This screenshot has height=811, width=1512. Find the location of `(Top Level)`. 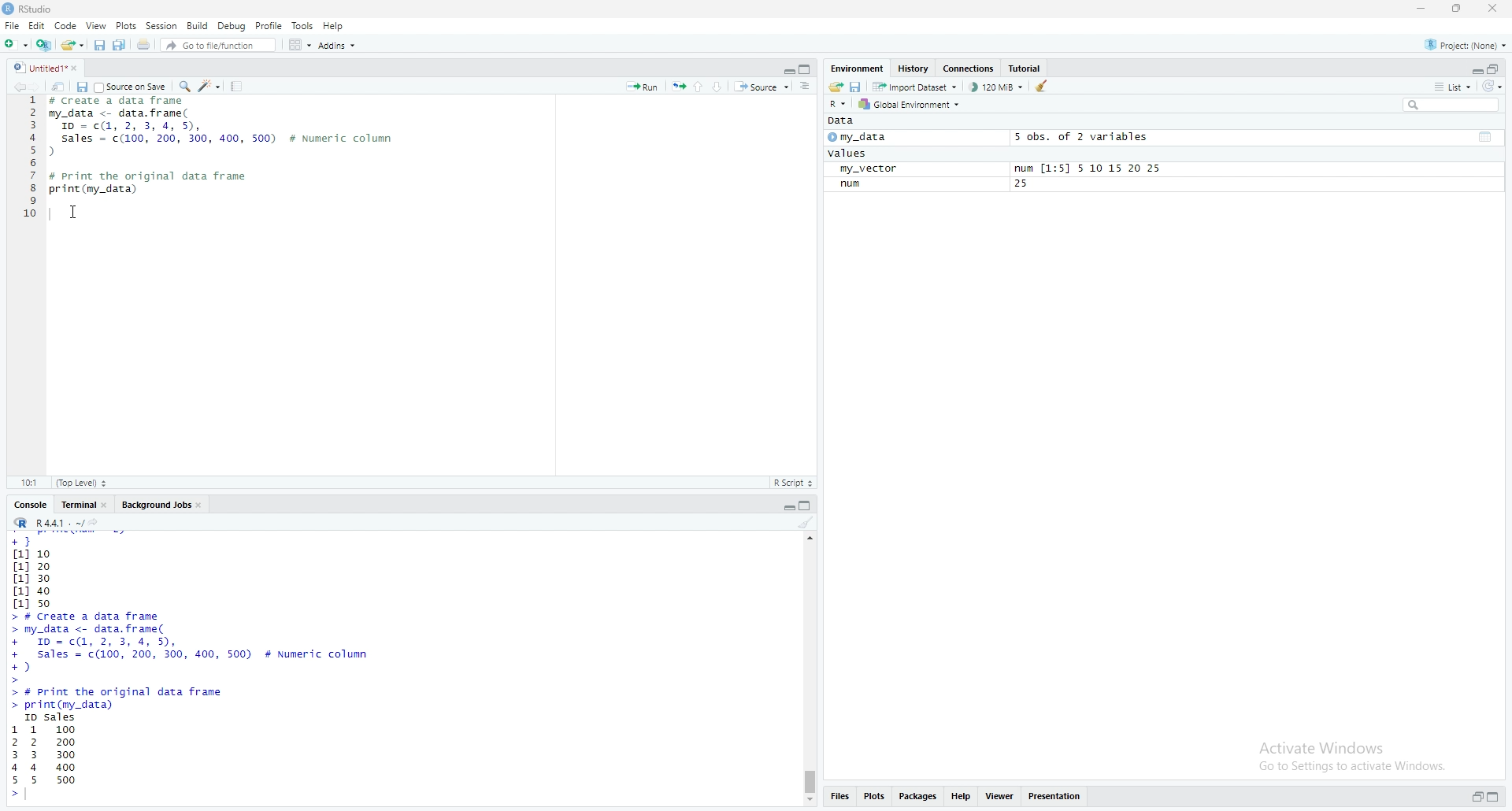

(Top Level) is located at coordinates (83, 483).